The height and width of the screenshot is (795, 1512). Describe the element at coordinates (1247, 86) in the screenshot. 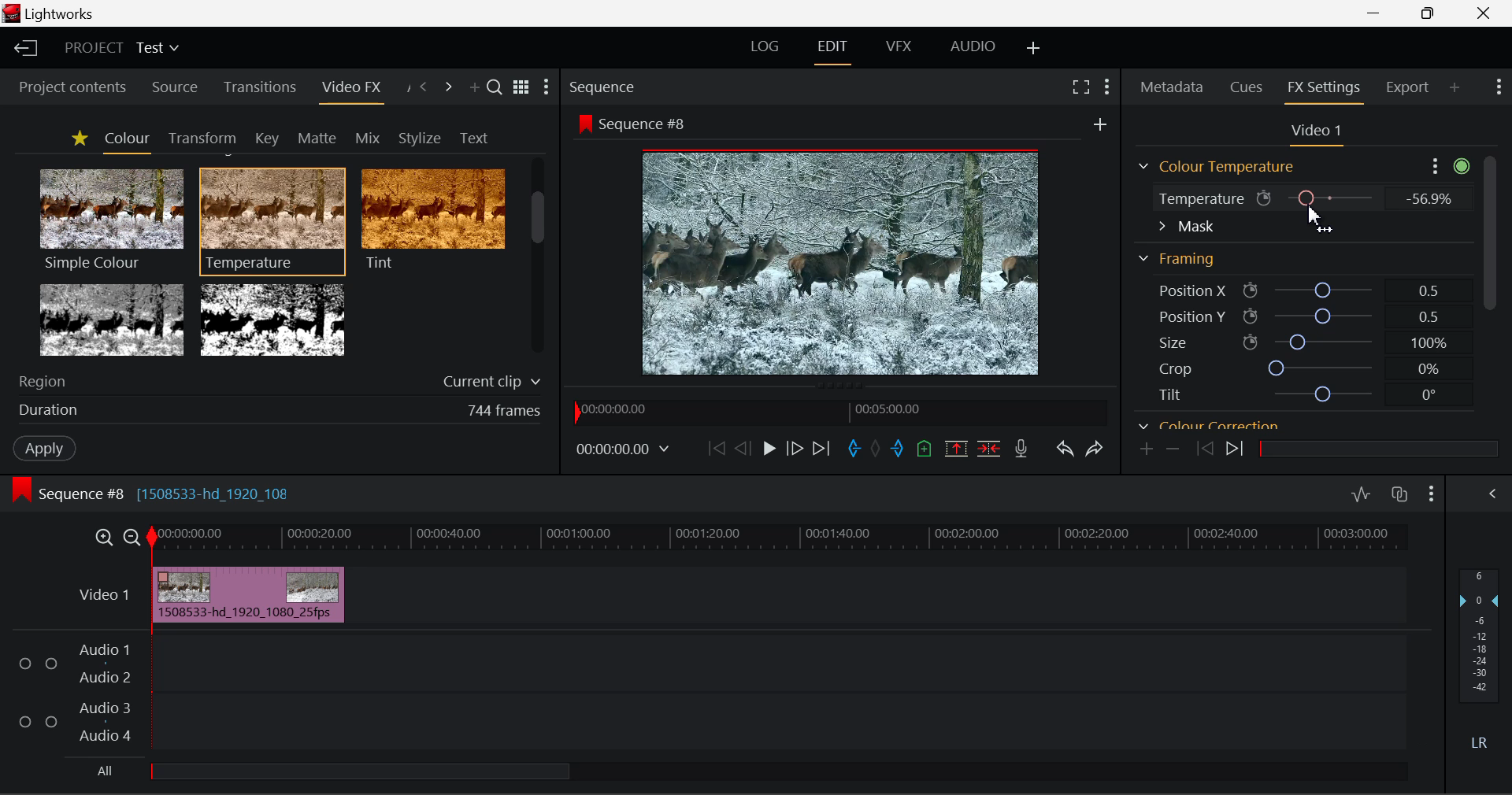

I see `Cues` at that location.